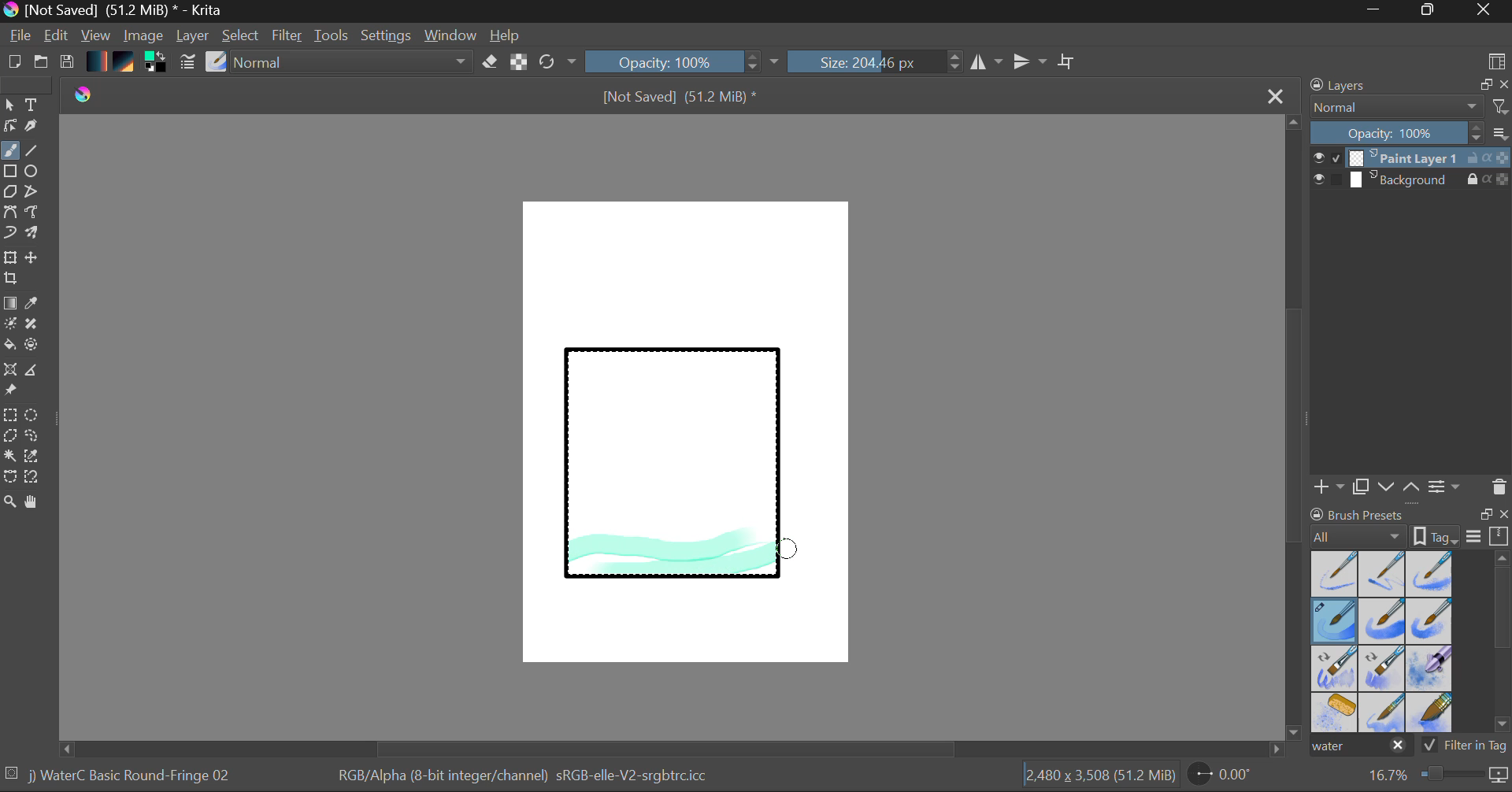 This screenshot has height=792, width=1512. Describe the element at coordinates (1466, 747) in the screenshot. I see `Filter in Tag Option` at that location.